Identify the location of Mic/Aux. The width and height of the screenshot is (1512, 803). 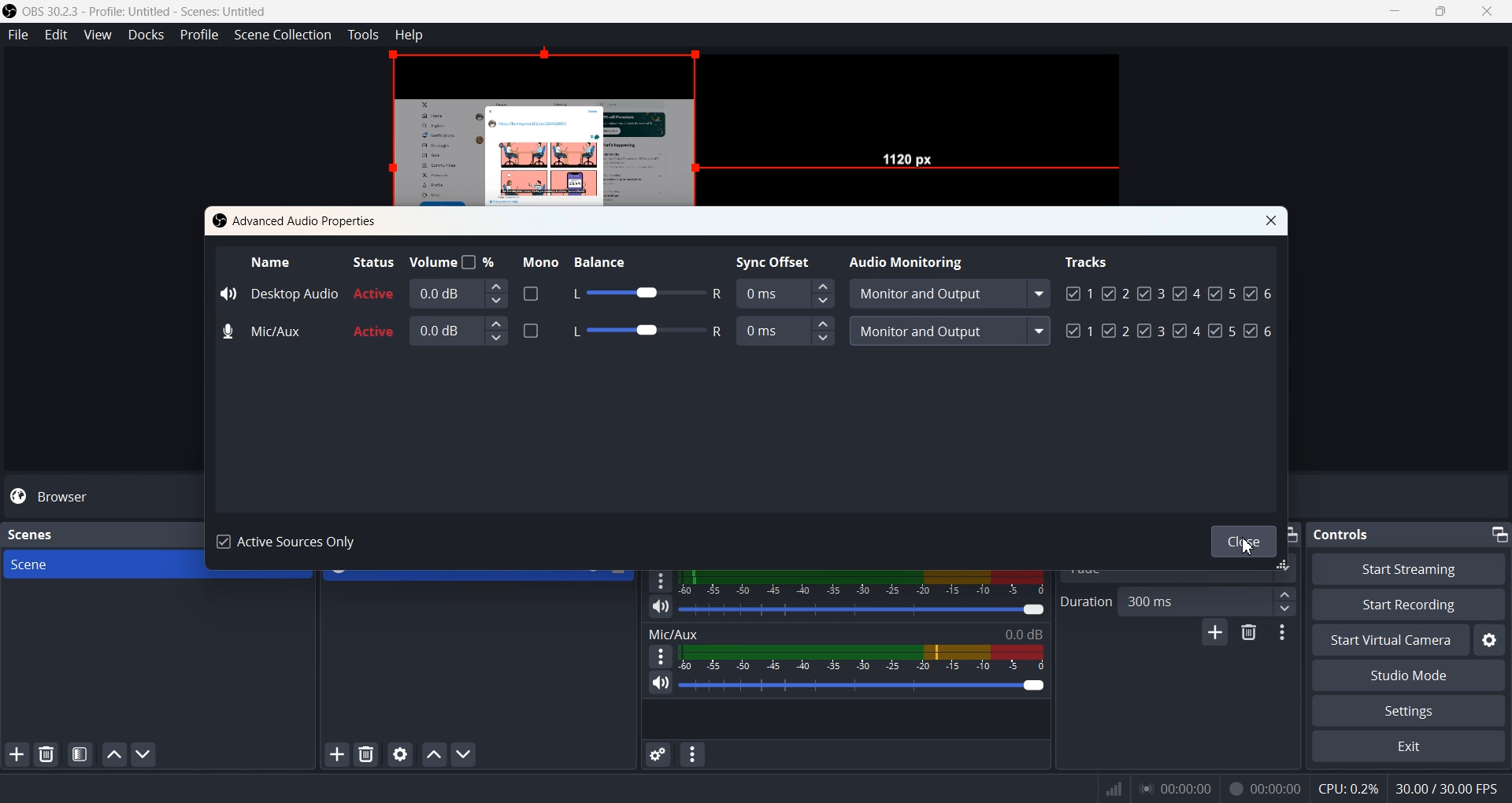
(265, 332).